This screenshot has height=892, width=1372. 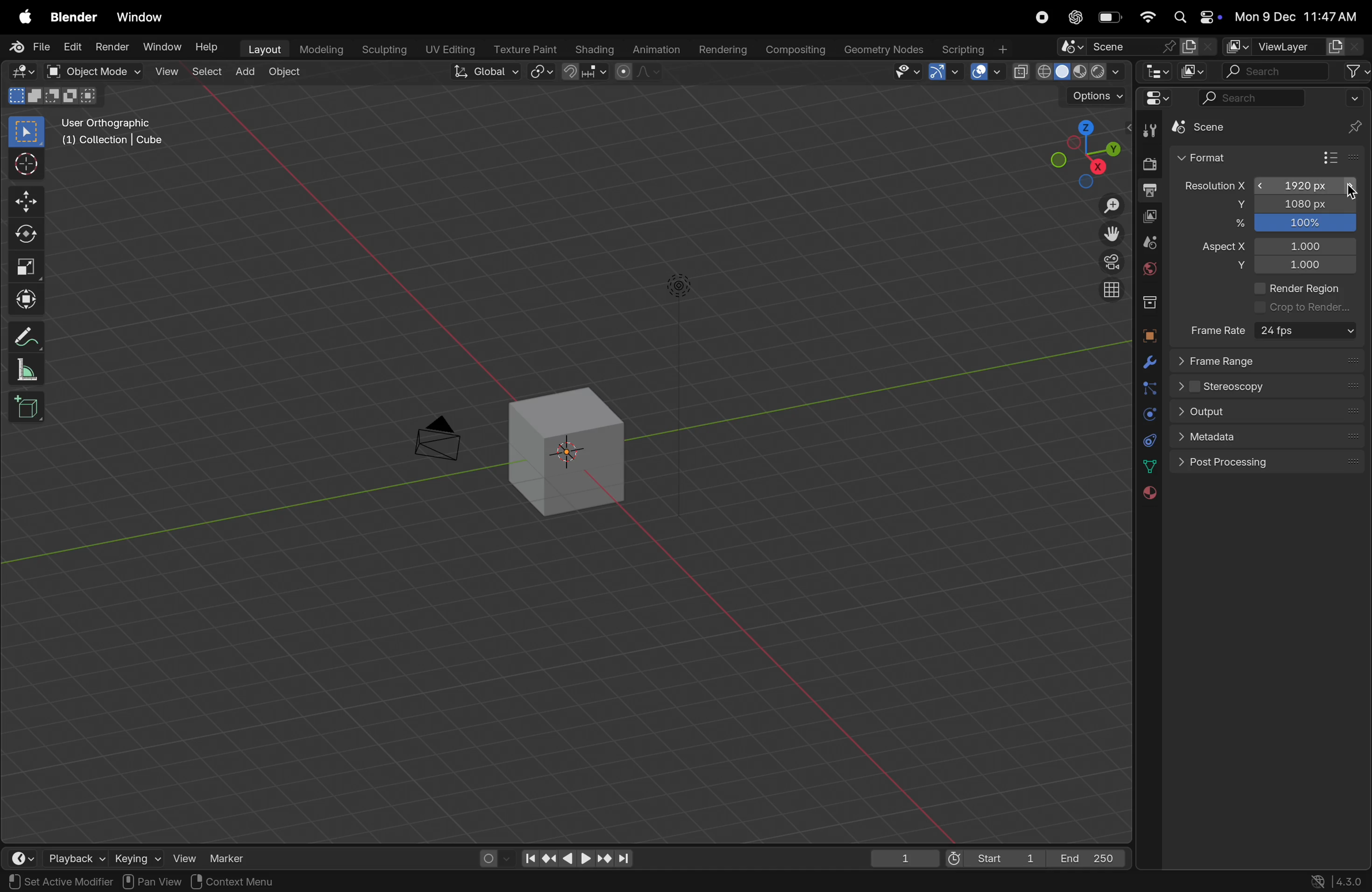 What do you see at coordinates (1147, 466) in the screenshot?
I see `date` at bounding box center [1147, 466].